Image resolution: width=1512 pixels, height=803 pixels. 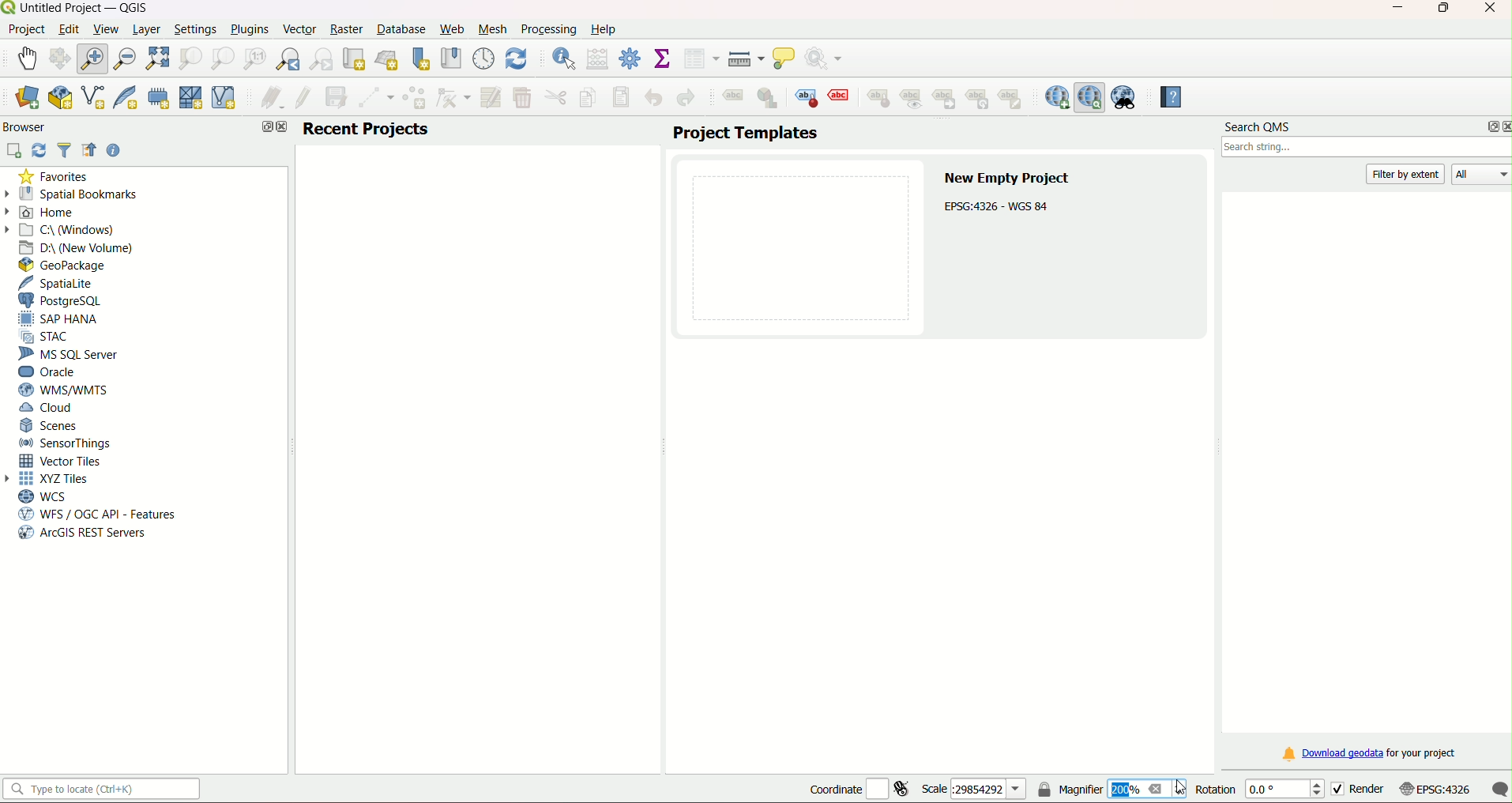 I want to click on Raster, so click(x=346, y=28).